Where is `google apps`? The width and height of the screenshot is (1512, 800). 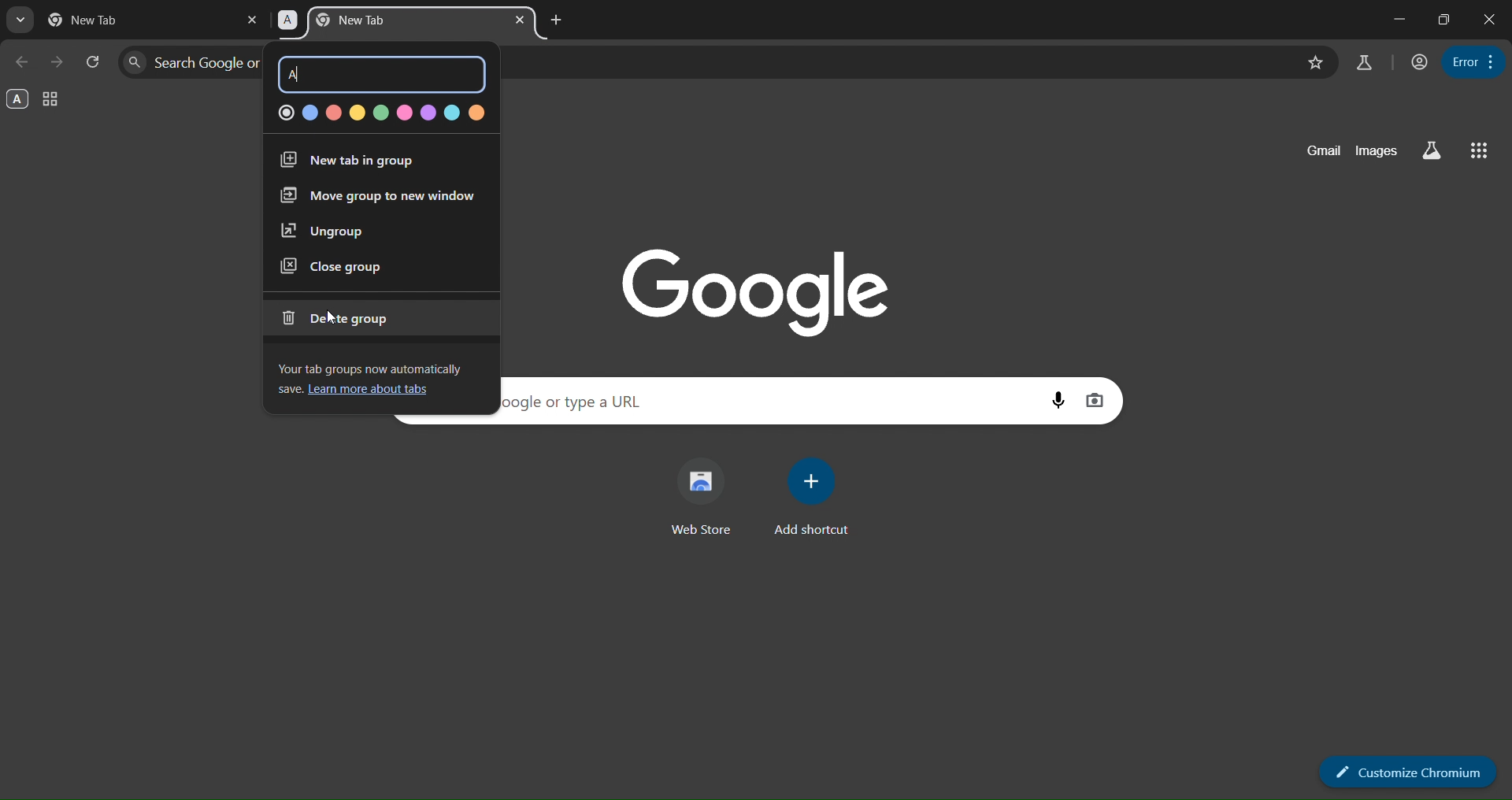 google apps is located at coordinates (1478, 151).